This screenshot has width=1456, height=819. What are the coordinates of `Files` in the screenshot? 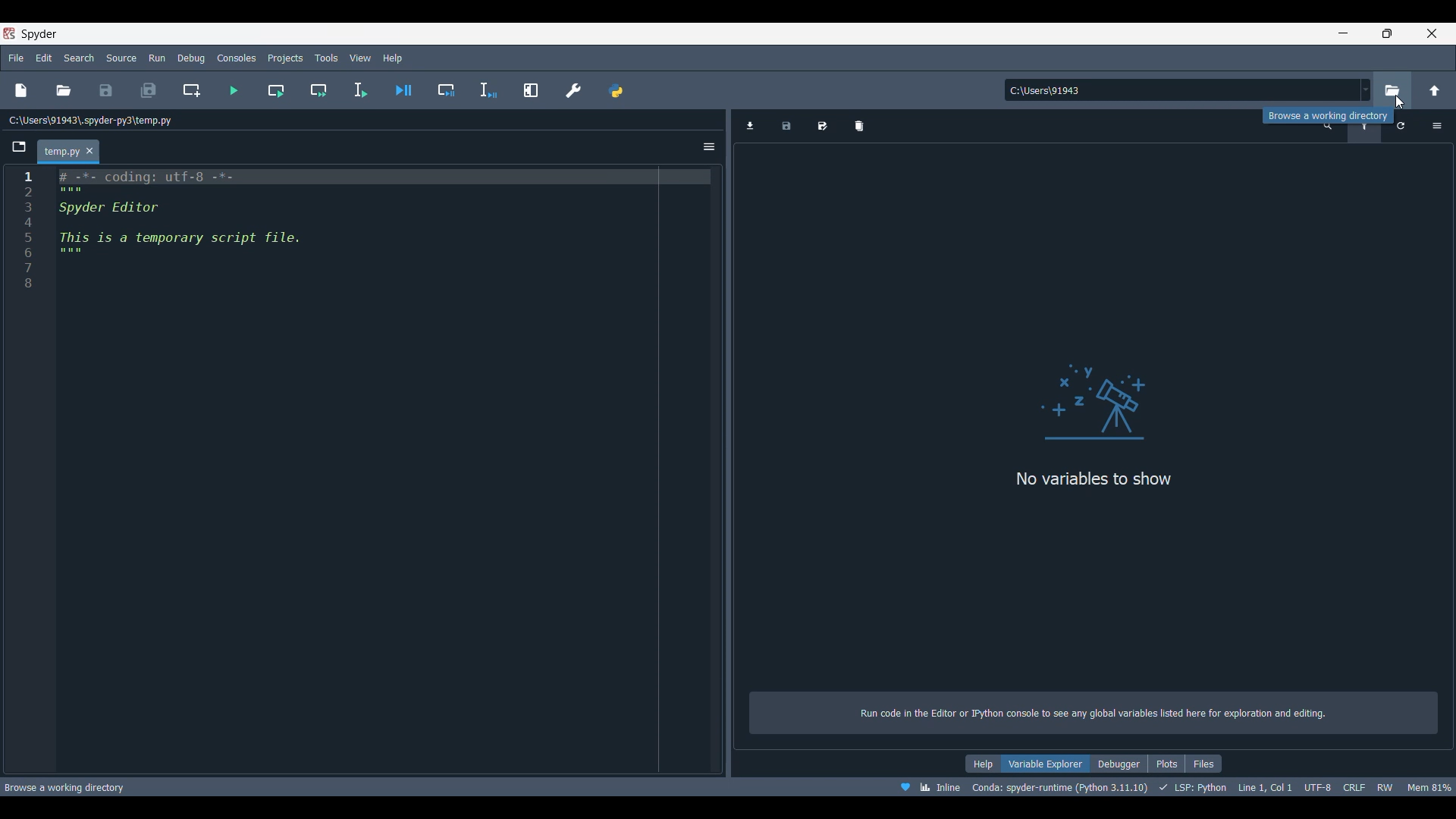 It's located at (1203, 764).